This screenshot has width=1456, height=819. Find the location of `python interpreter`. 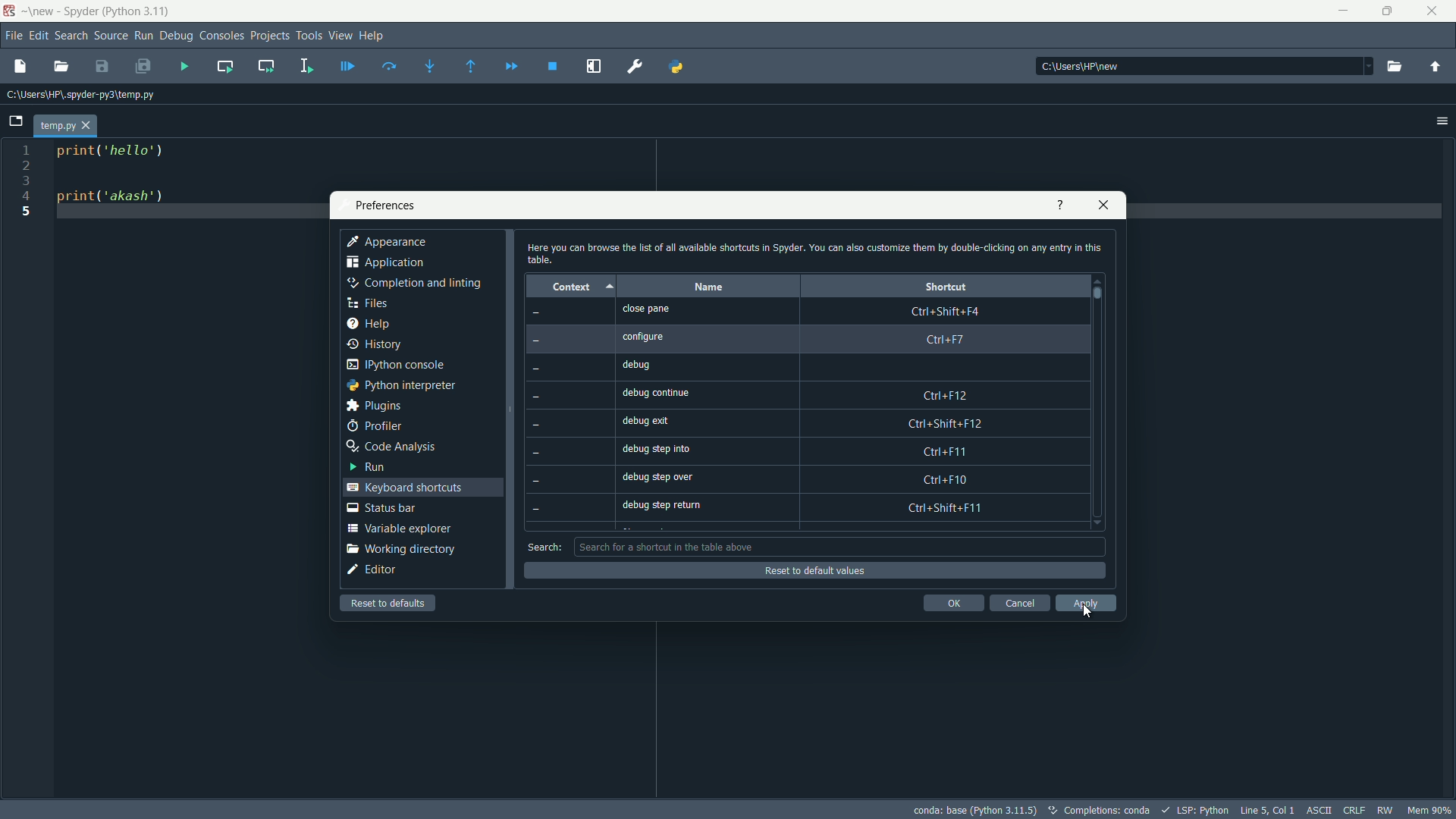

python interpreter is located at coordinates (399, 386).